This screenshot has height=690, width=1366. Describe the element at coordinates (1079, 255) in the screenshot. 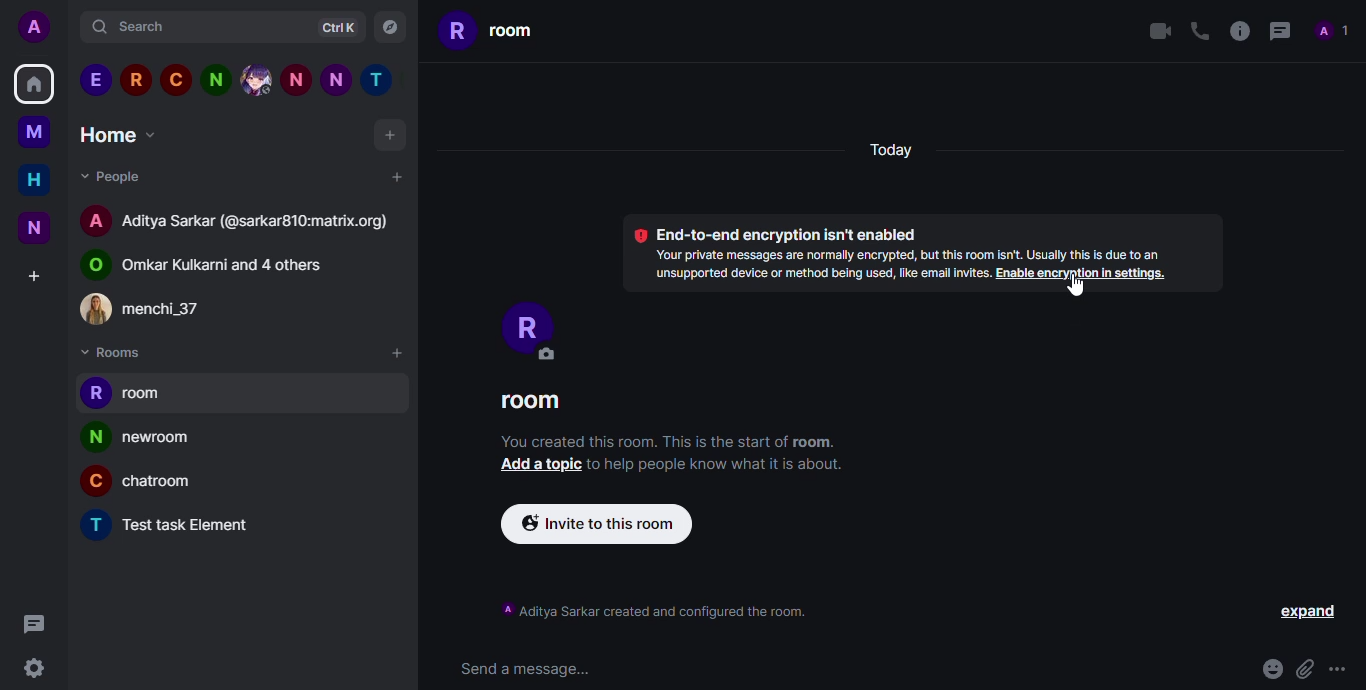

I see `info` at that location.